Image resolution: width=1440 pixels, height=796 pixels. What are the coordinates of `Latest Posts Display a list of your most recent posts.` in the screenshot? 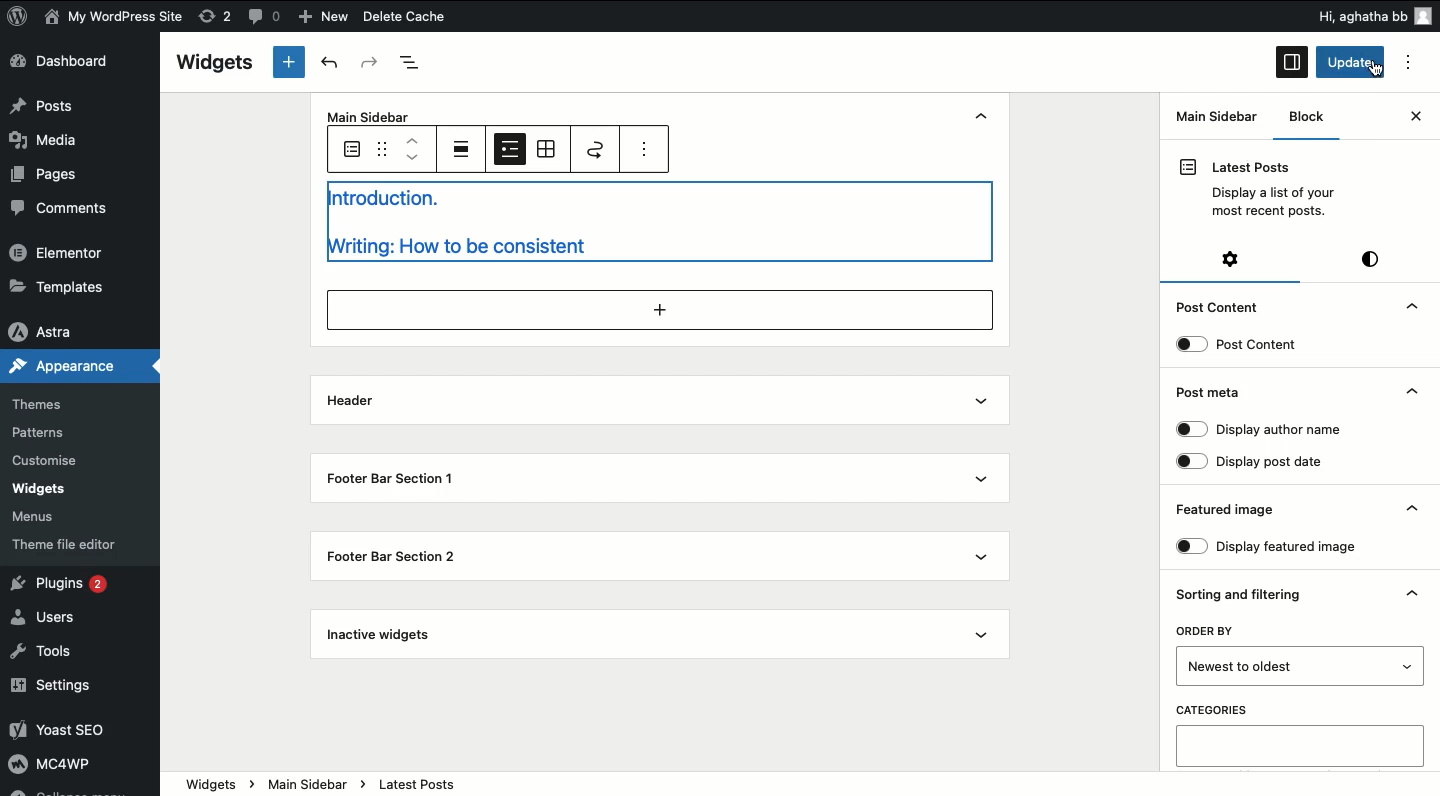 It's located at (1267, 189).